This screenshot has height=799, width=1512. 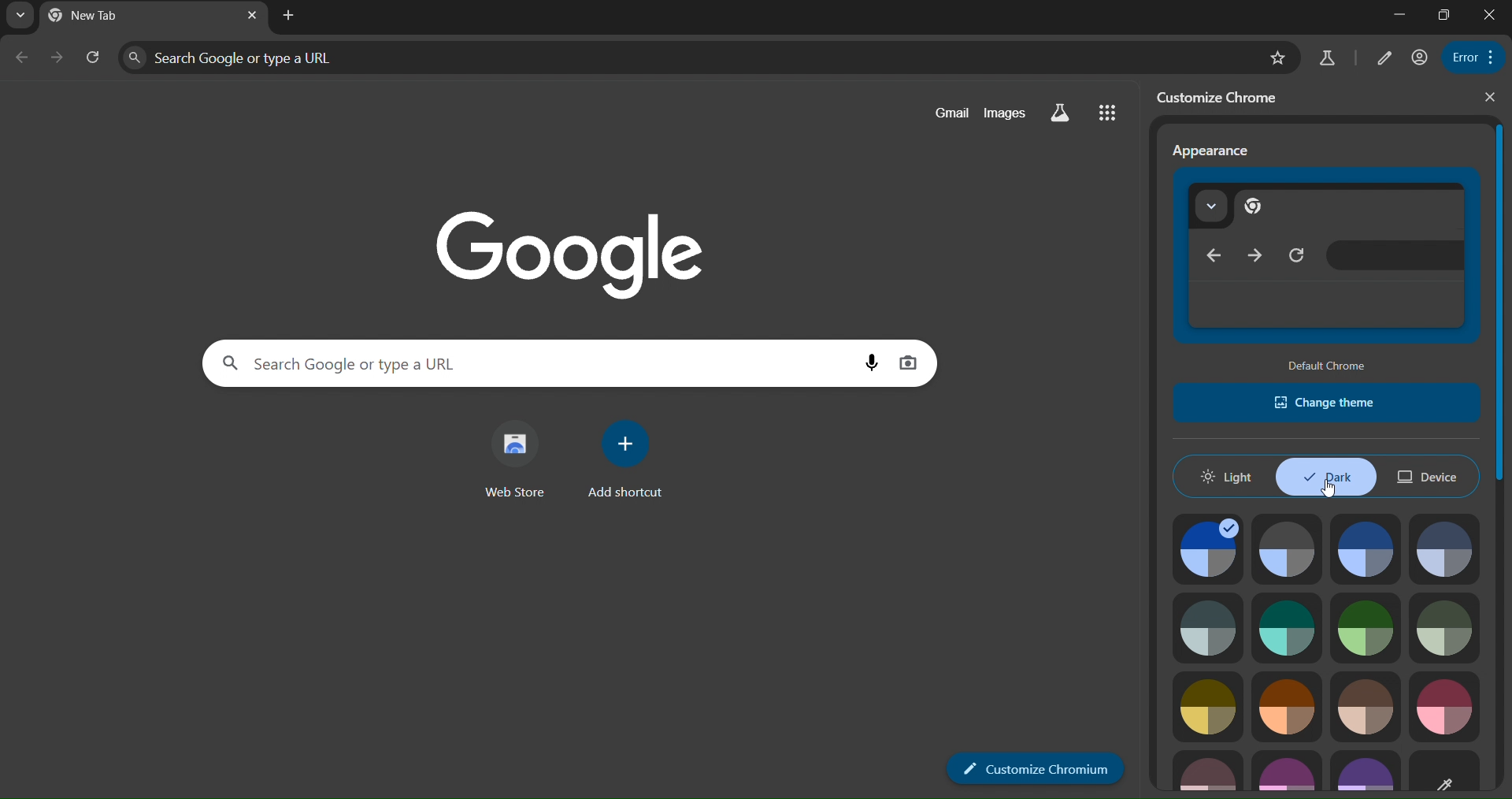 What do you see at coordinates (1323, 255) in the screenshot?
I see `appearance preview` at bounding box center [1323, 255].